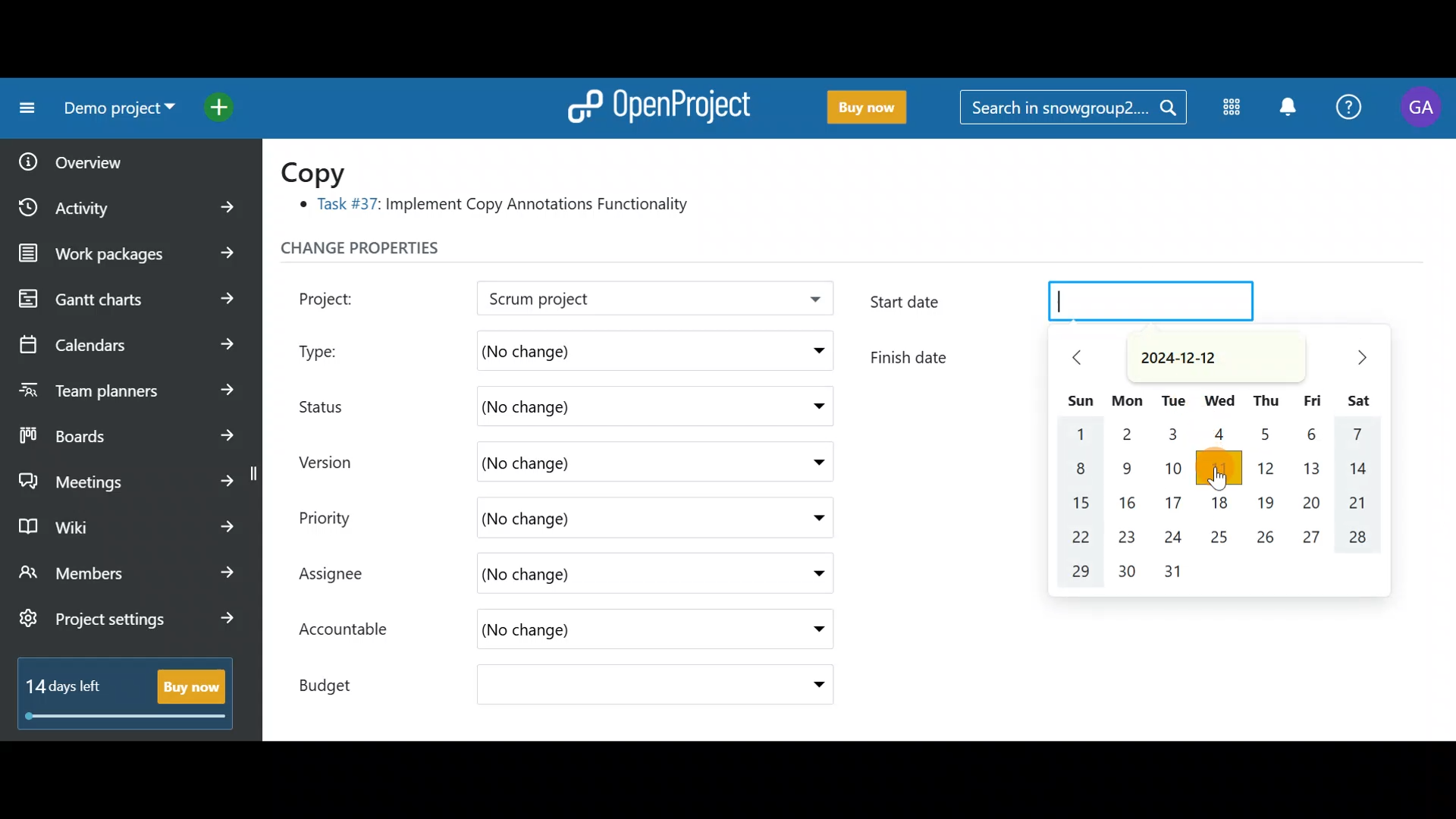 This screenshot has width=1456, height=819. What do you see at coordinates (1227, 110) in the screenshot?
I see `Modules` at bounding box center [1227, 110].